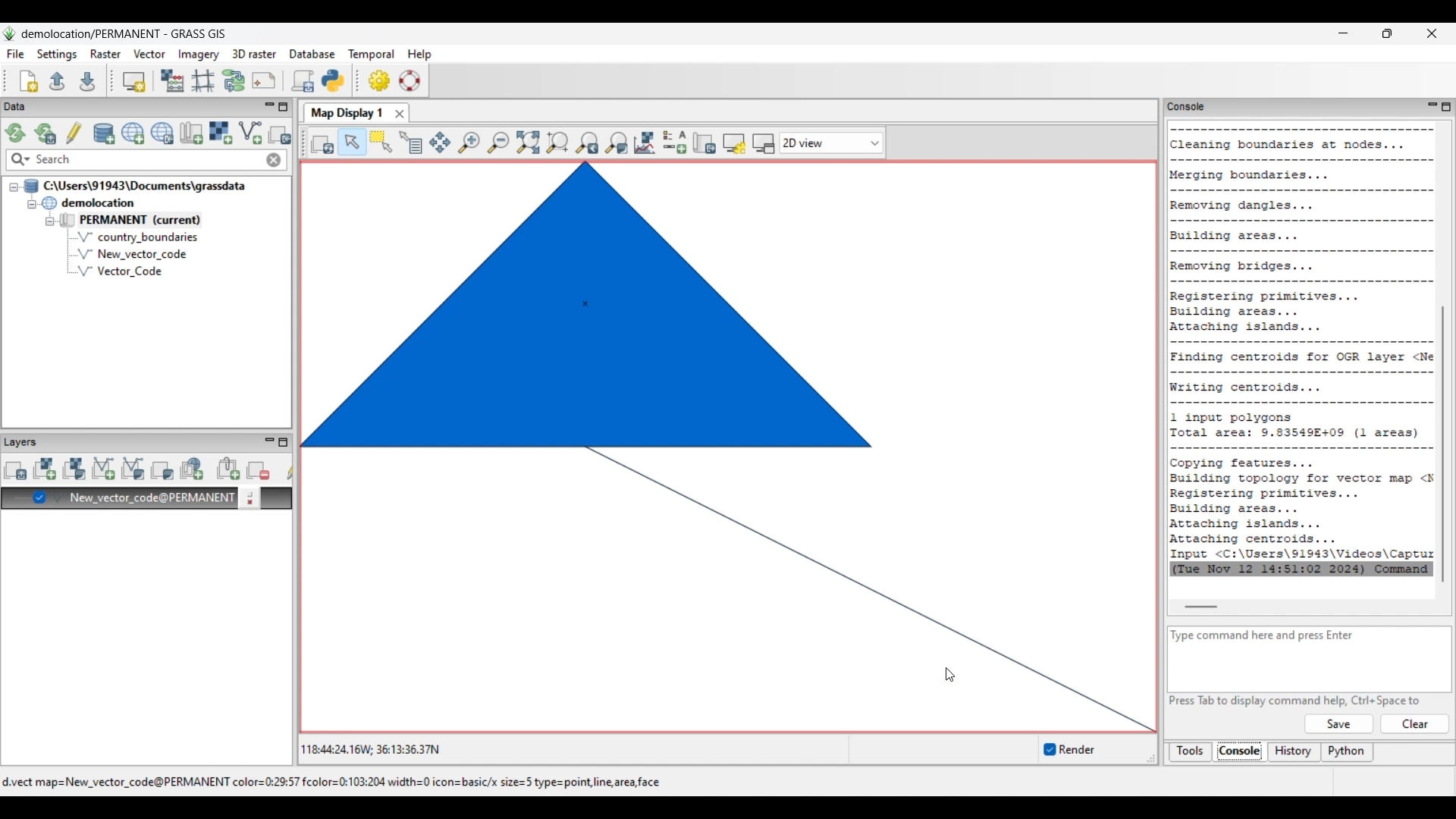  Describe the element at coordinates (57, 80) in the screenshot. I see `Open existing workspace file` at that location.